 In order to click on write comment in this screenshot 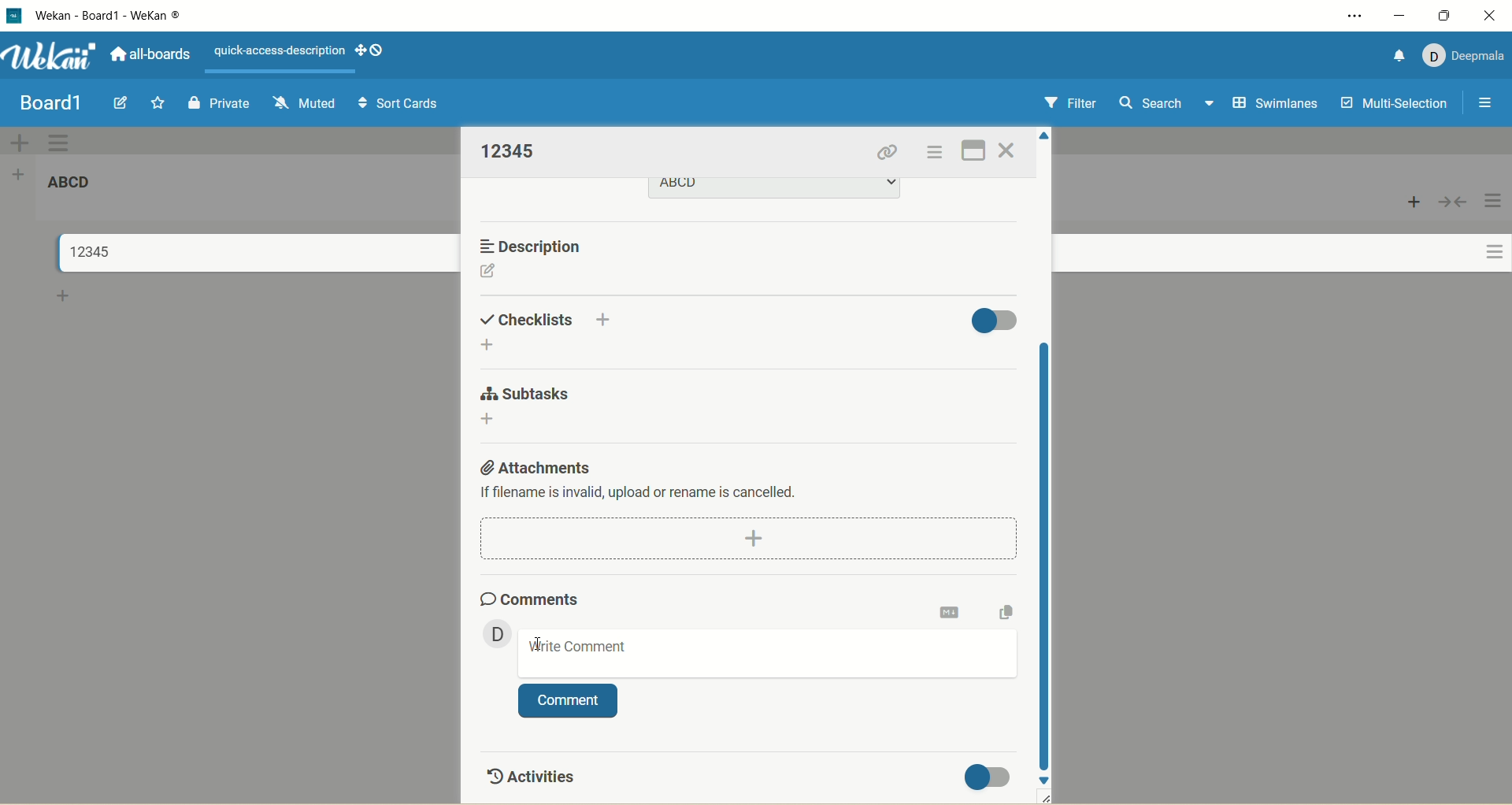, I will do `click(764, 657)`.